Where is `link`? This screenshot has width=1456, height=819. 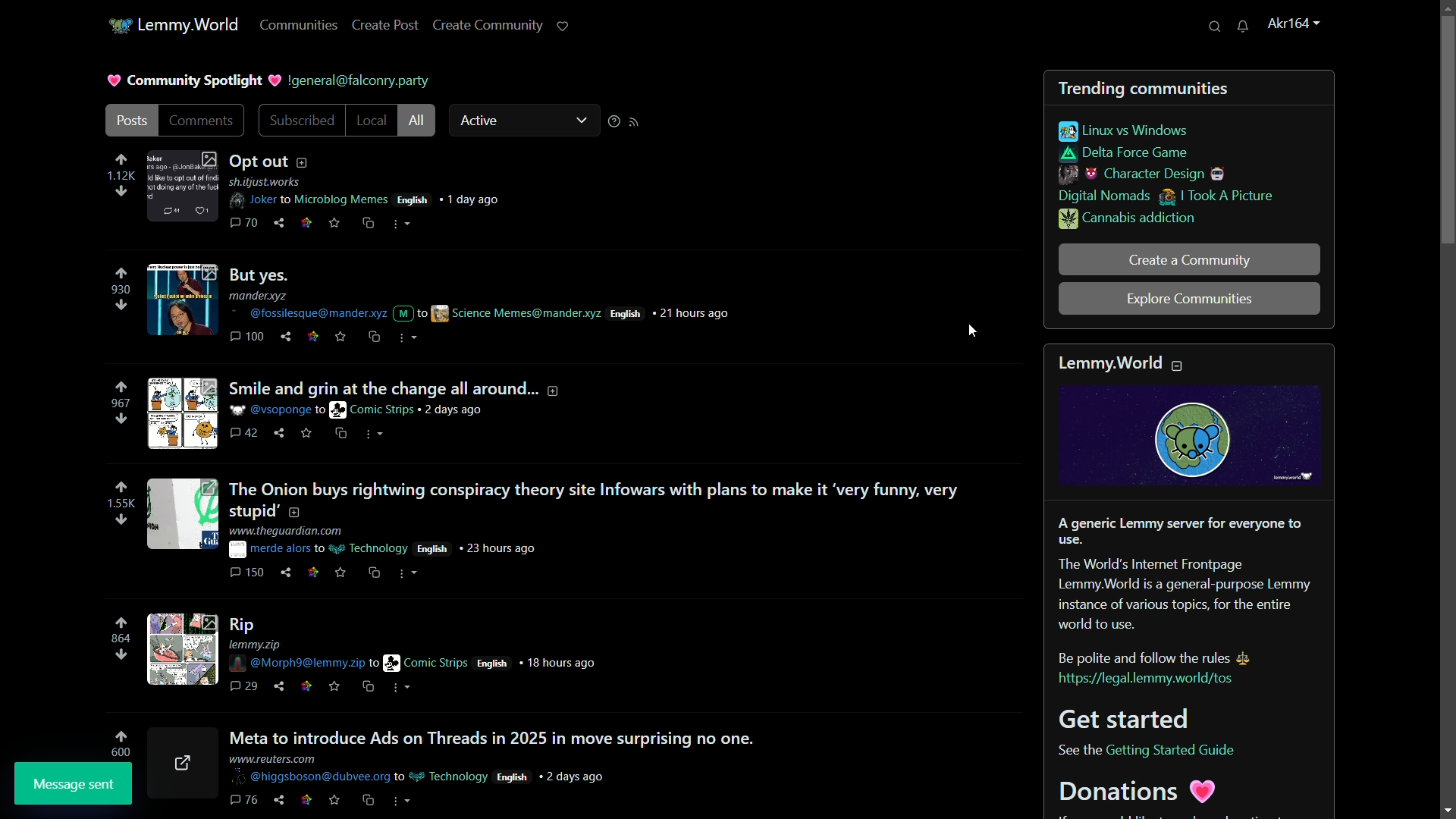
link is located at coordinates (306, 432).